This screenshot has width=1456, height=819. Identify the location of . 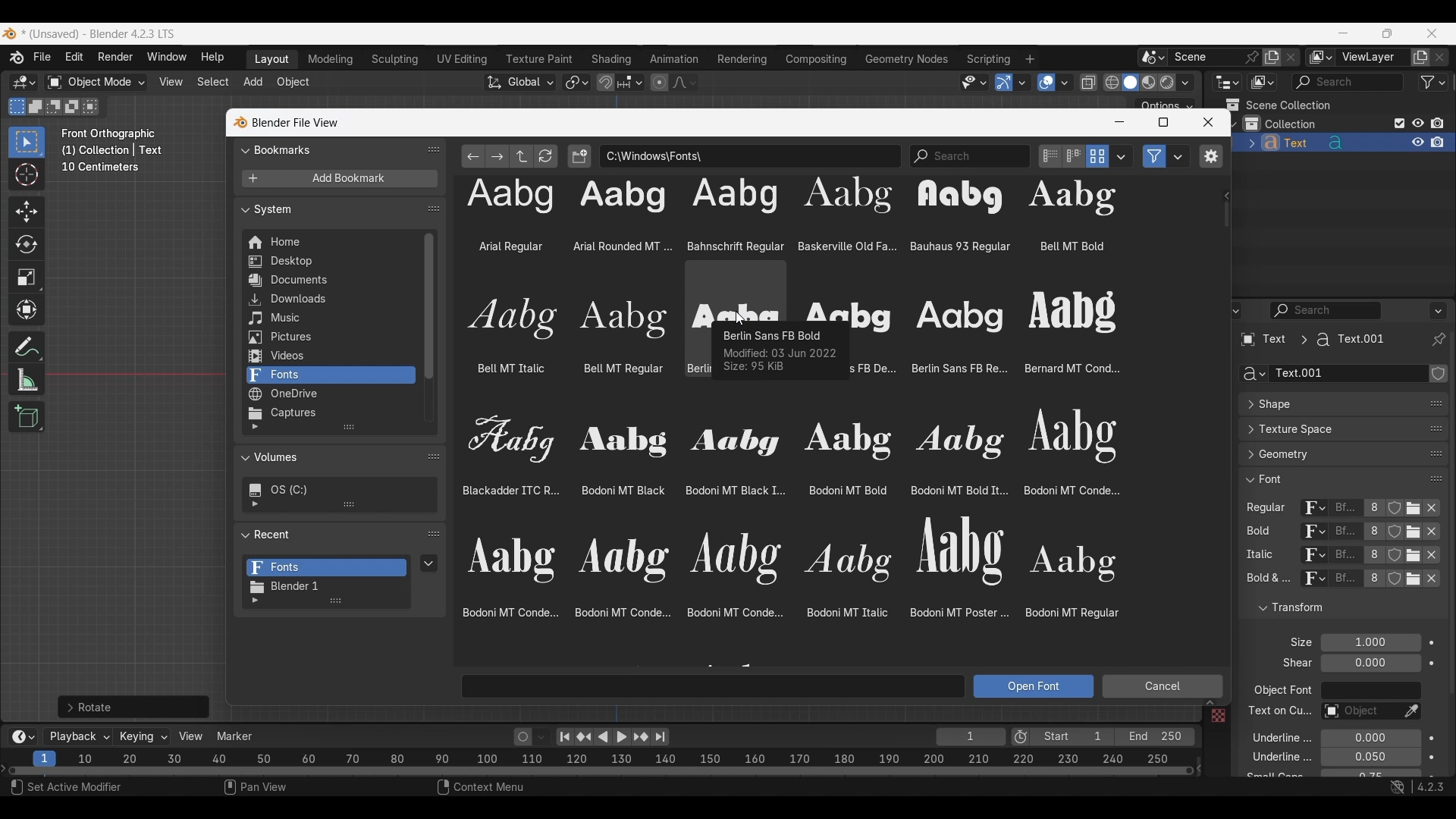
(1278, 713).